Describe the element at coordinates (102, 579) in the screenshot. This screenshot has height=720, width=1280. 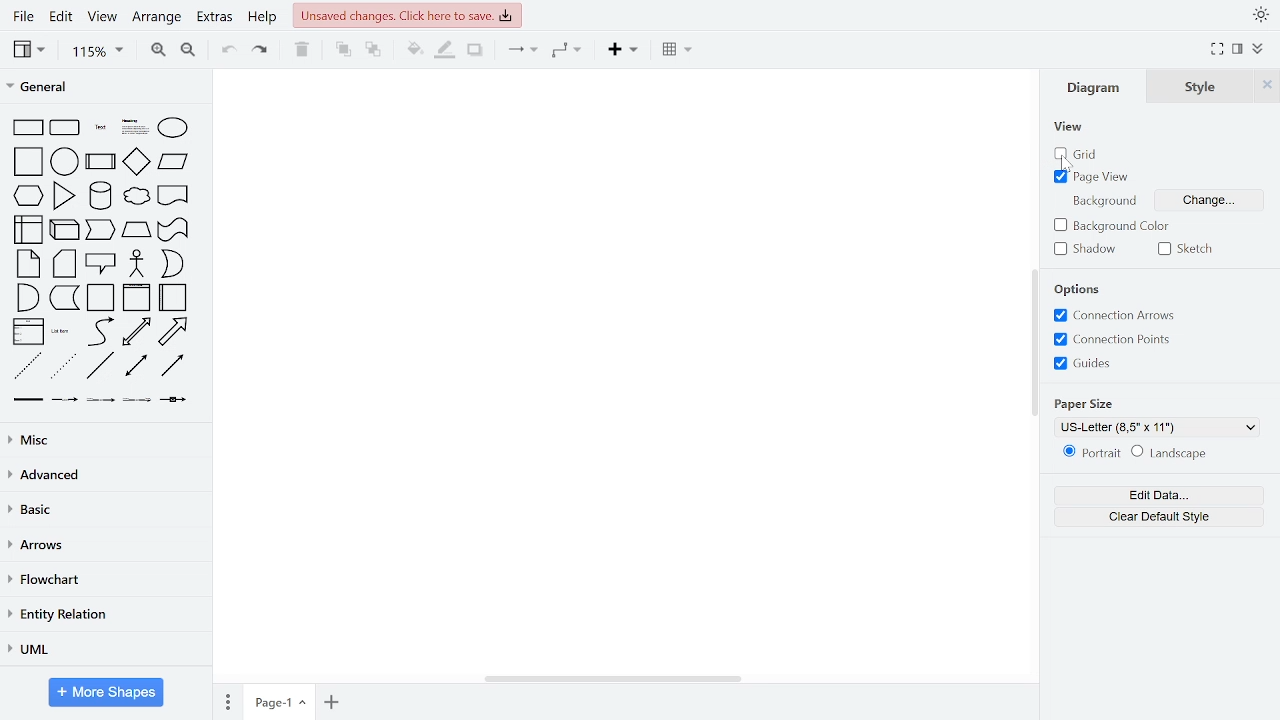
I see `flowchart` at that location.